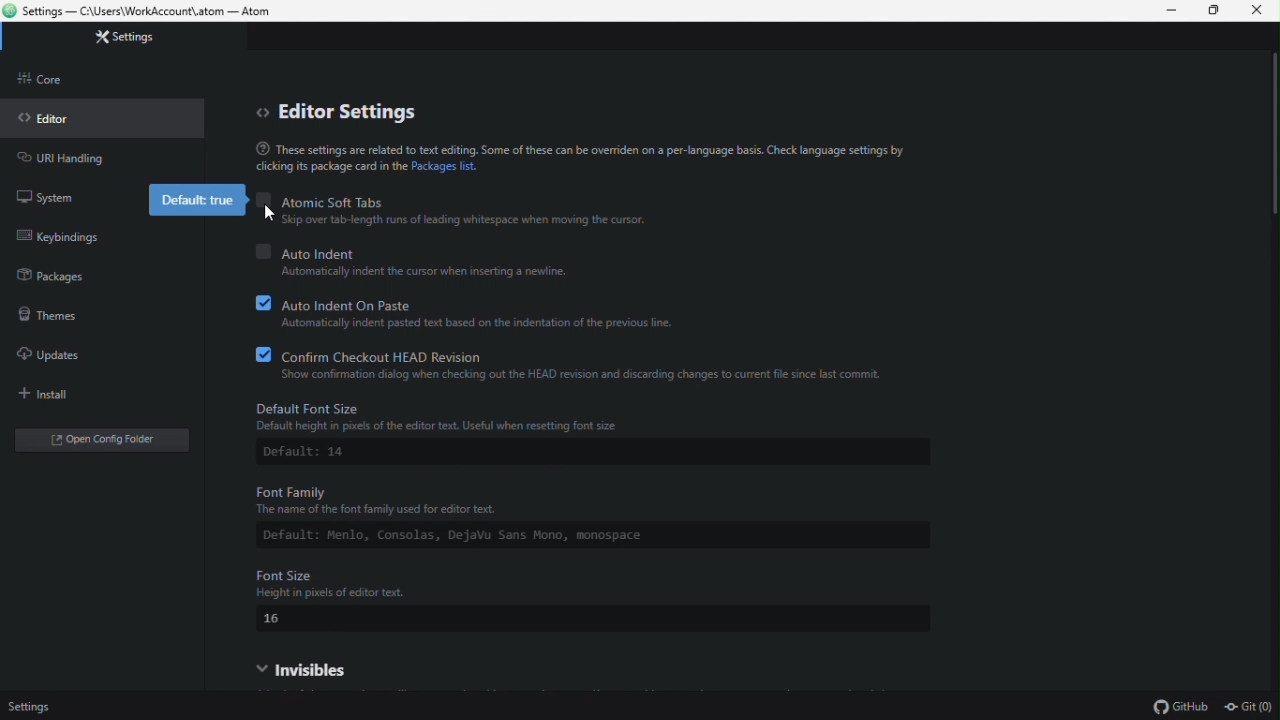 This screenshot has width=1280, height=720. I want to click on Default Font Size
Default height in pixels of the editor text. Useful when resetting font size, so click(464, 416).